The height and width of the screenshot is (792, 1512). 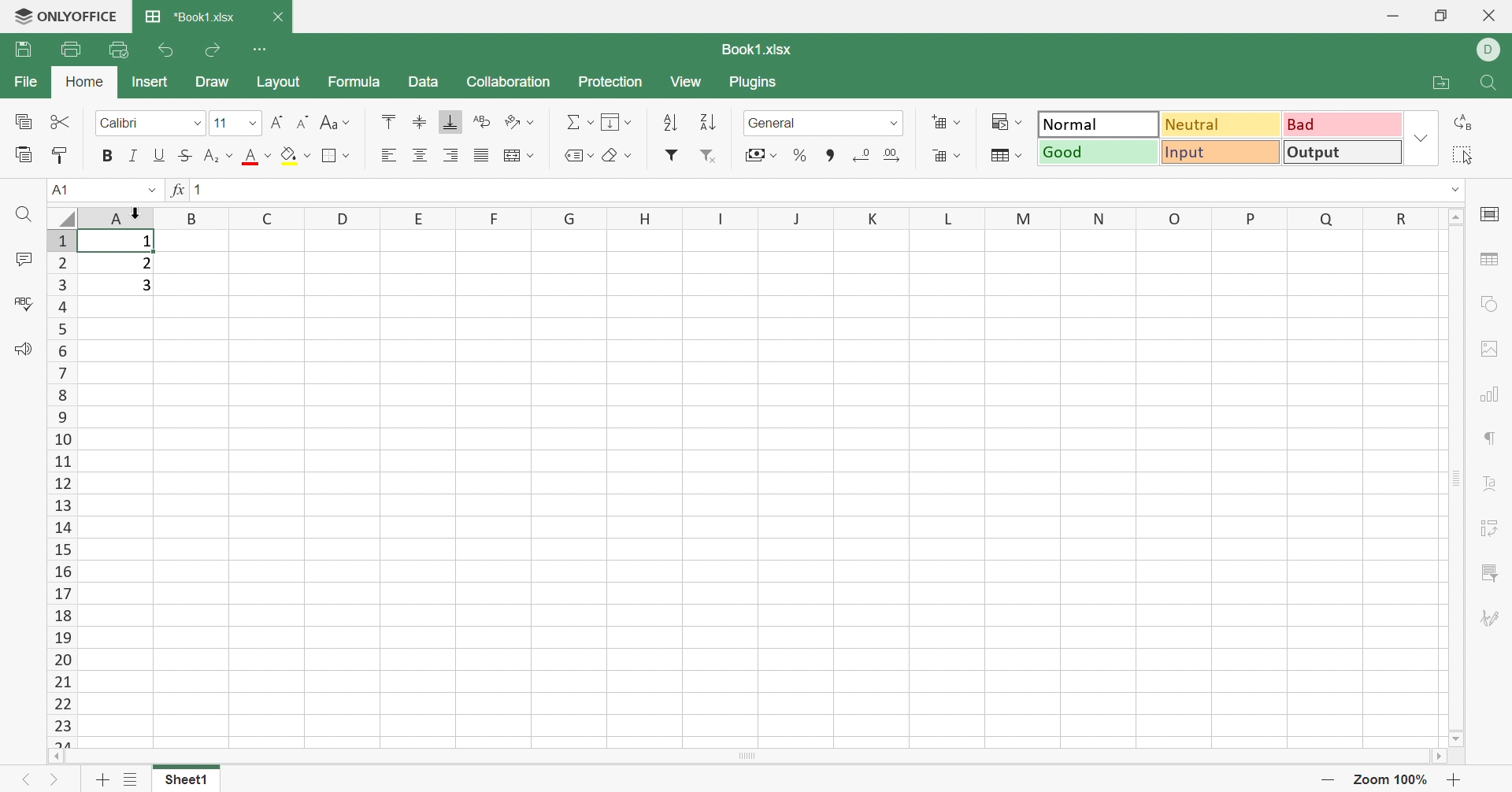 I want to click on Table settings, so click(x=1492, y=261).